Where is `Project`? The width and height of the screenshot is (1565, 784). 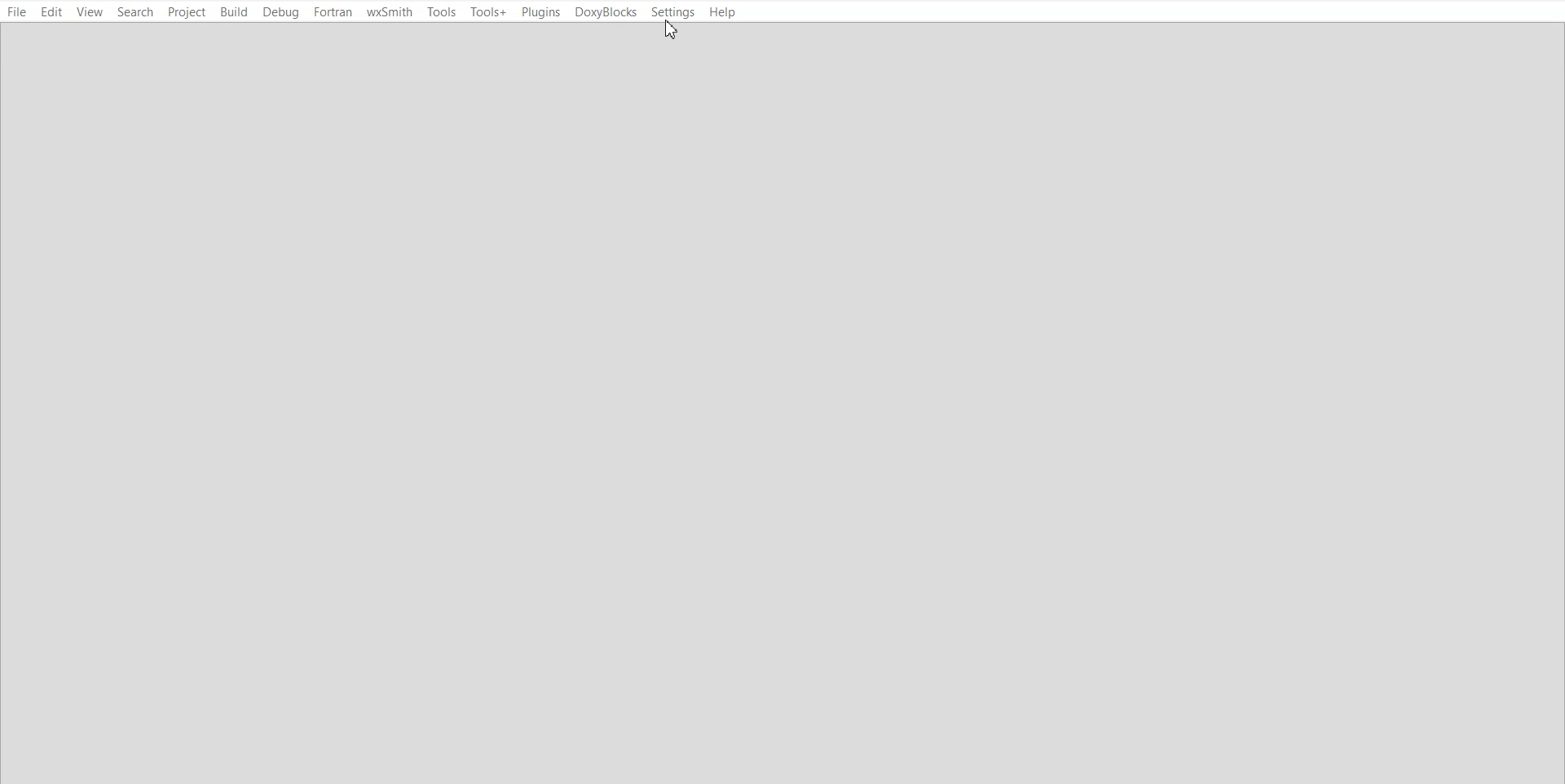
Project is located at coordinates (186, 12).